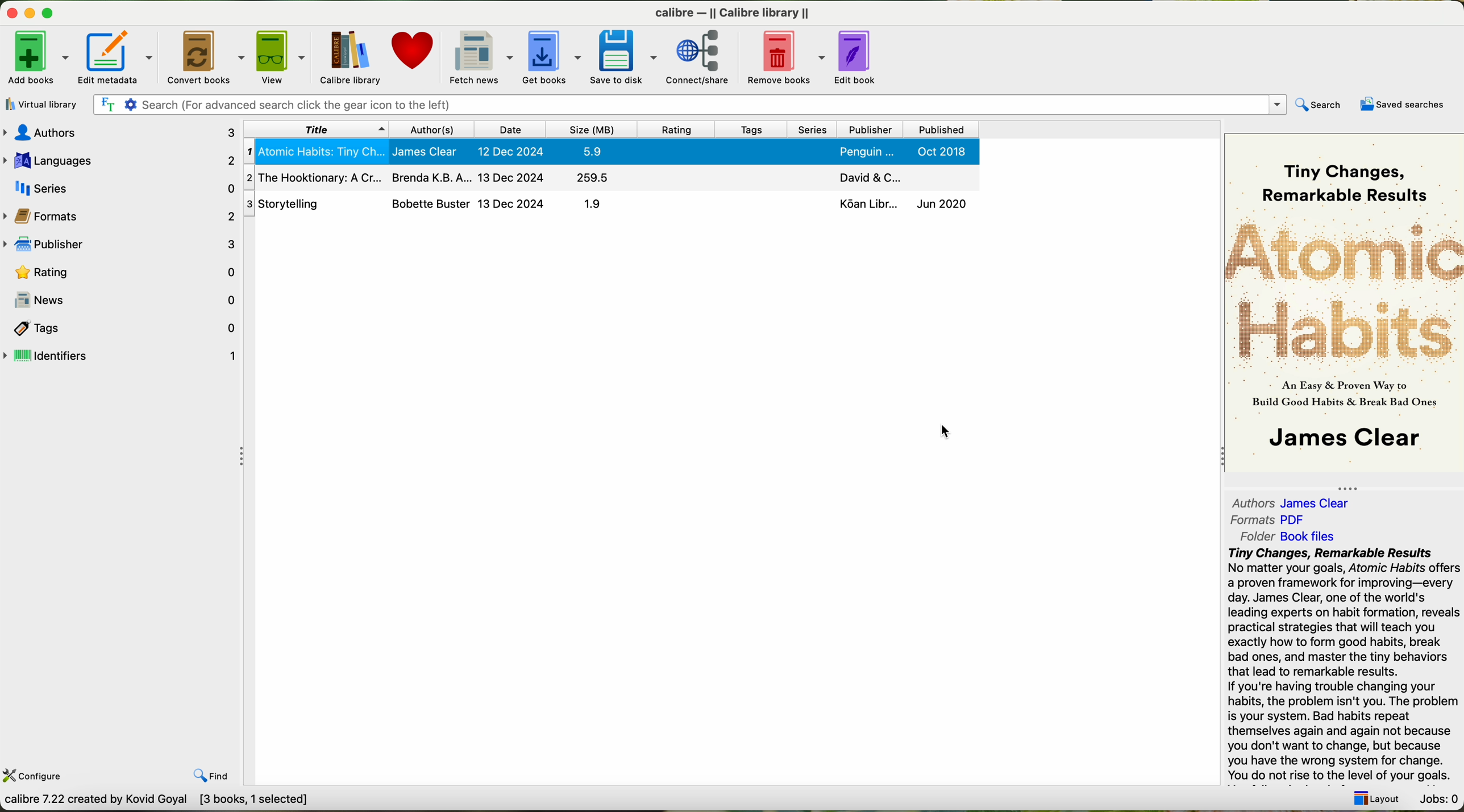 This screenshot has width=1464, height=812. I want to click on Tiny Changes,
Remarkable Results, so click(1340, 173).